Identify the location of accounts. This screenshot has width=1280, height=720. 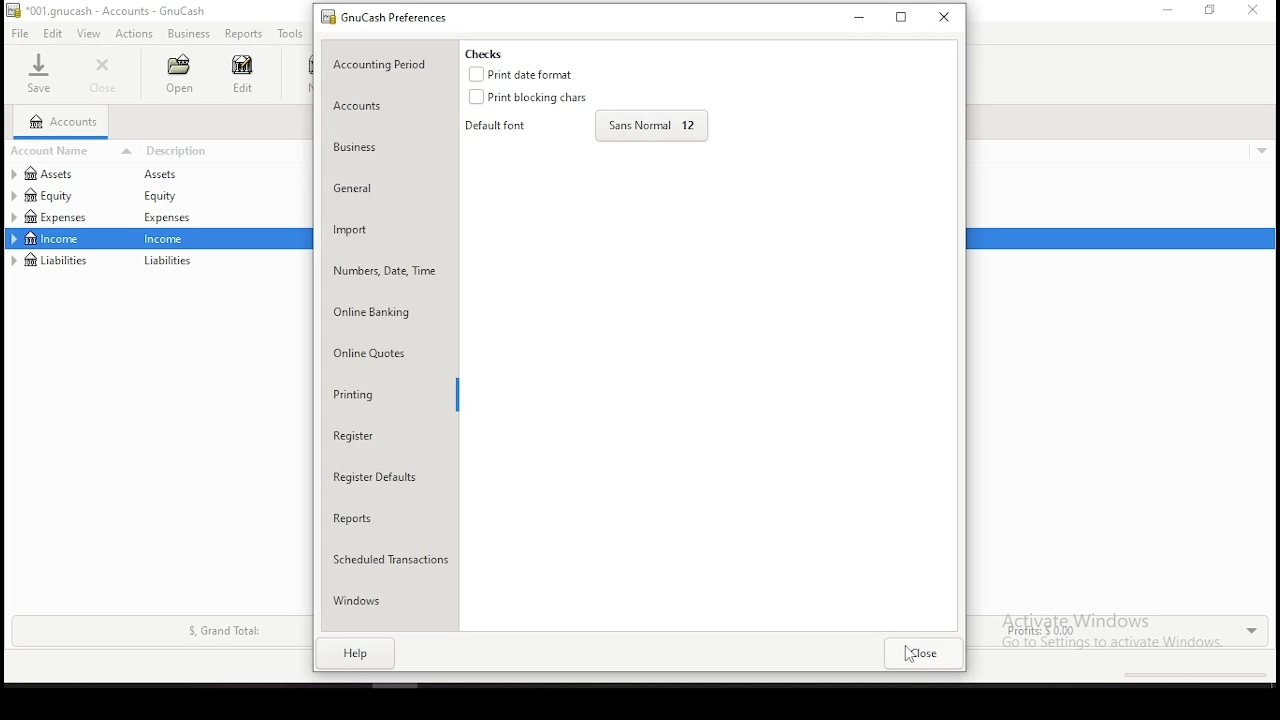
(372, 103).